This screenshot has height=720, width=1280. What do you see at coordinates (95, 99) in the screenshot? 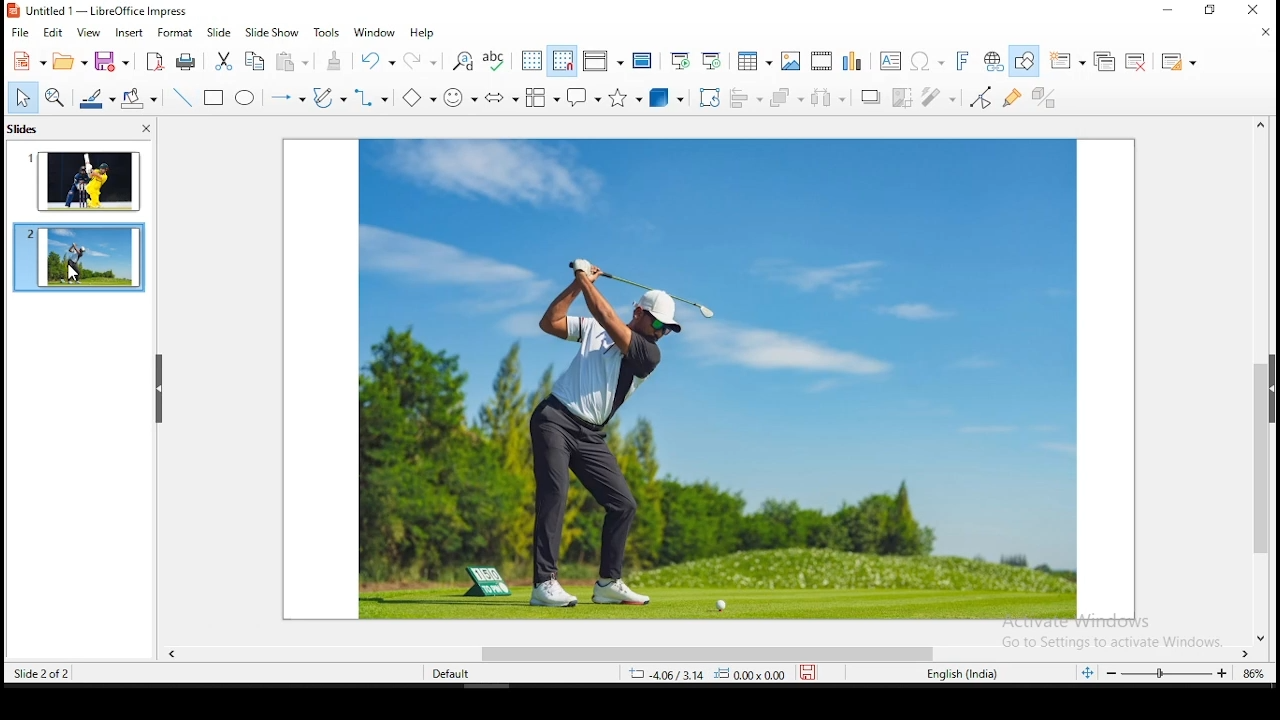
I see `line color` at bounding box center [95, 99].